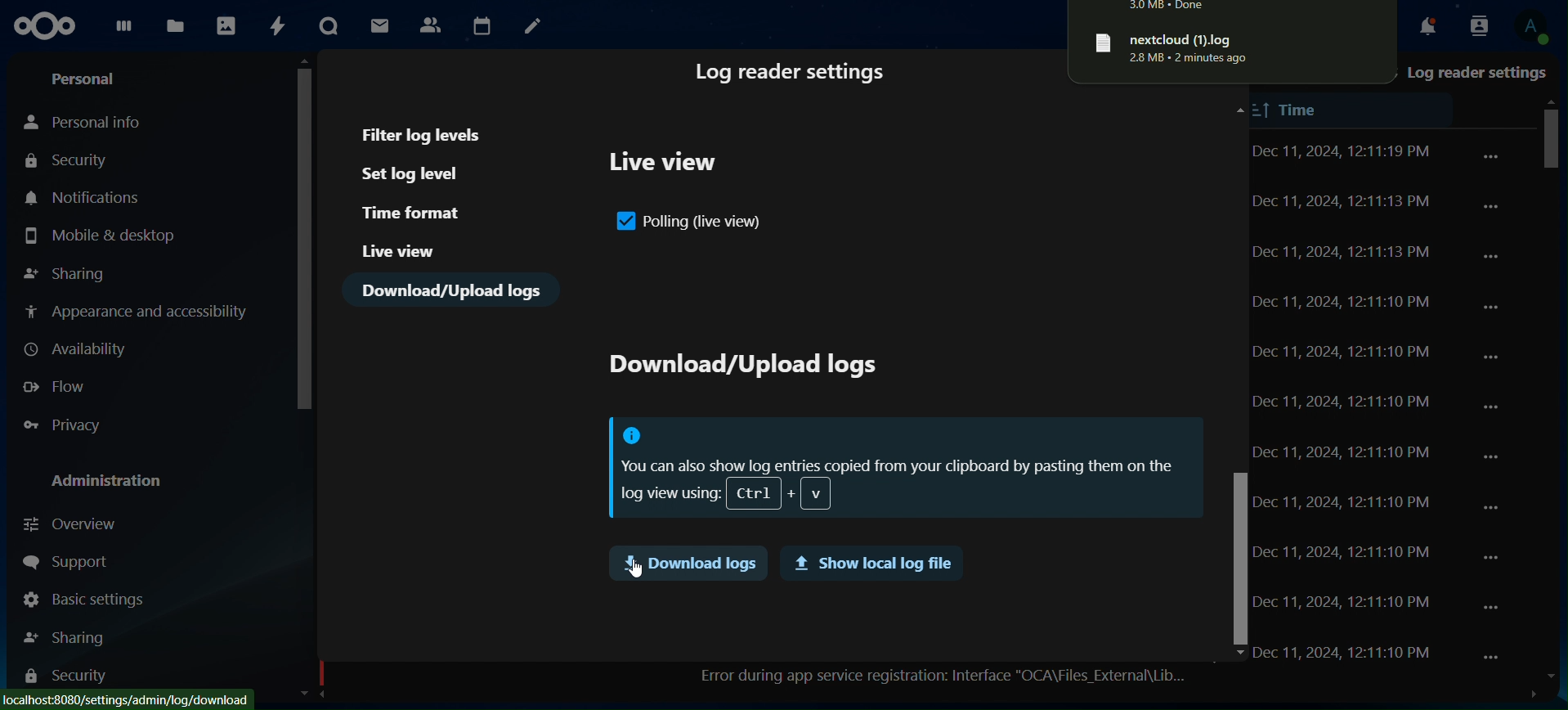 The height and width of the screenshot is (710, 1568). Describe the element at coordinates (1421, 25) in the screenshot. I see `notifications` at that location.